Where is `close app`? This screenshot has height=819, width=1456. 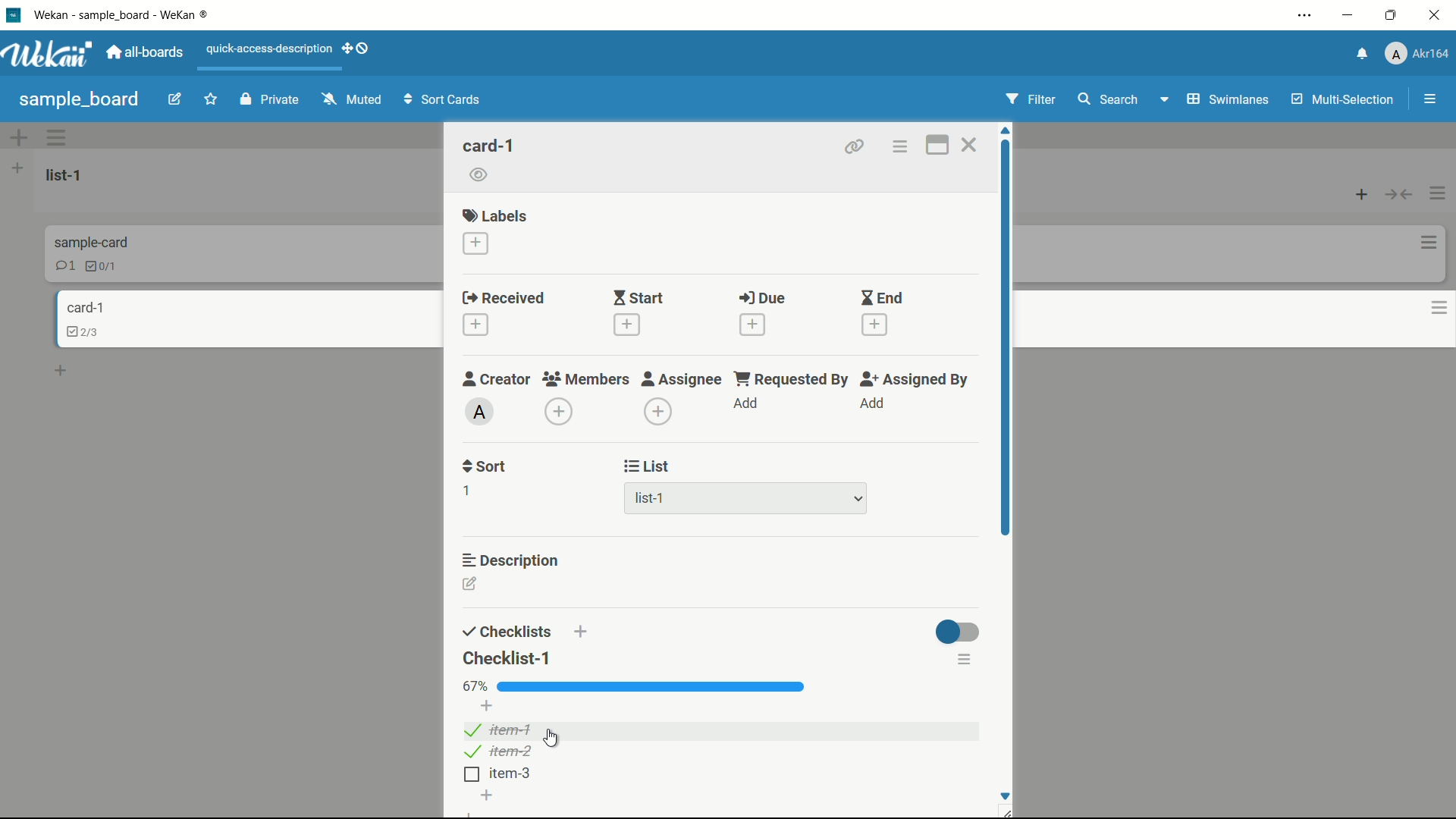 close app is located at coordinates (1436, 16).